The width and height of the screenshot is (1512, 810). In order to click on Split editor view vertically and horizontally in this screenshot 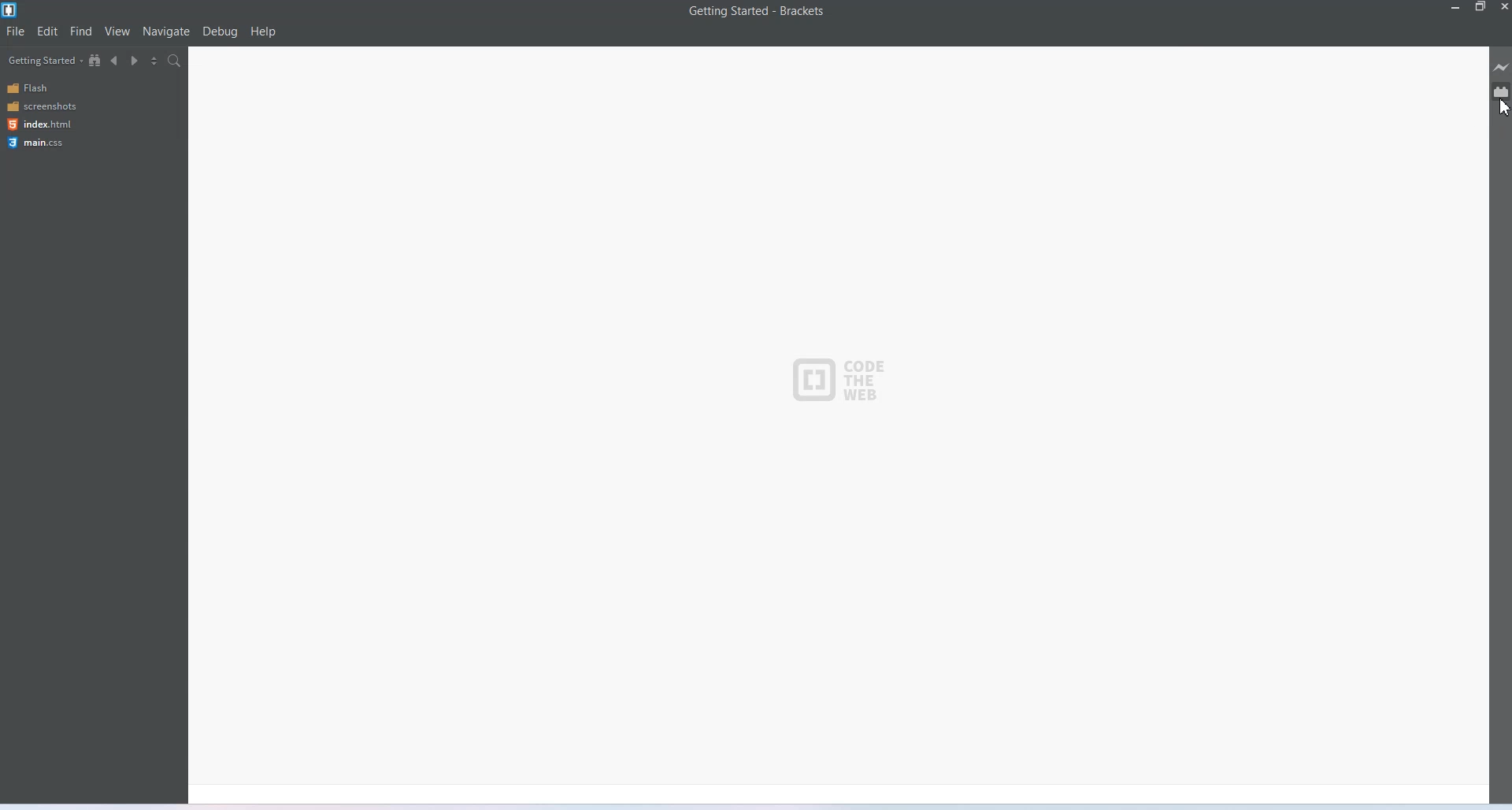, I will do `click(154, 60)`.